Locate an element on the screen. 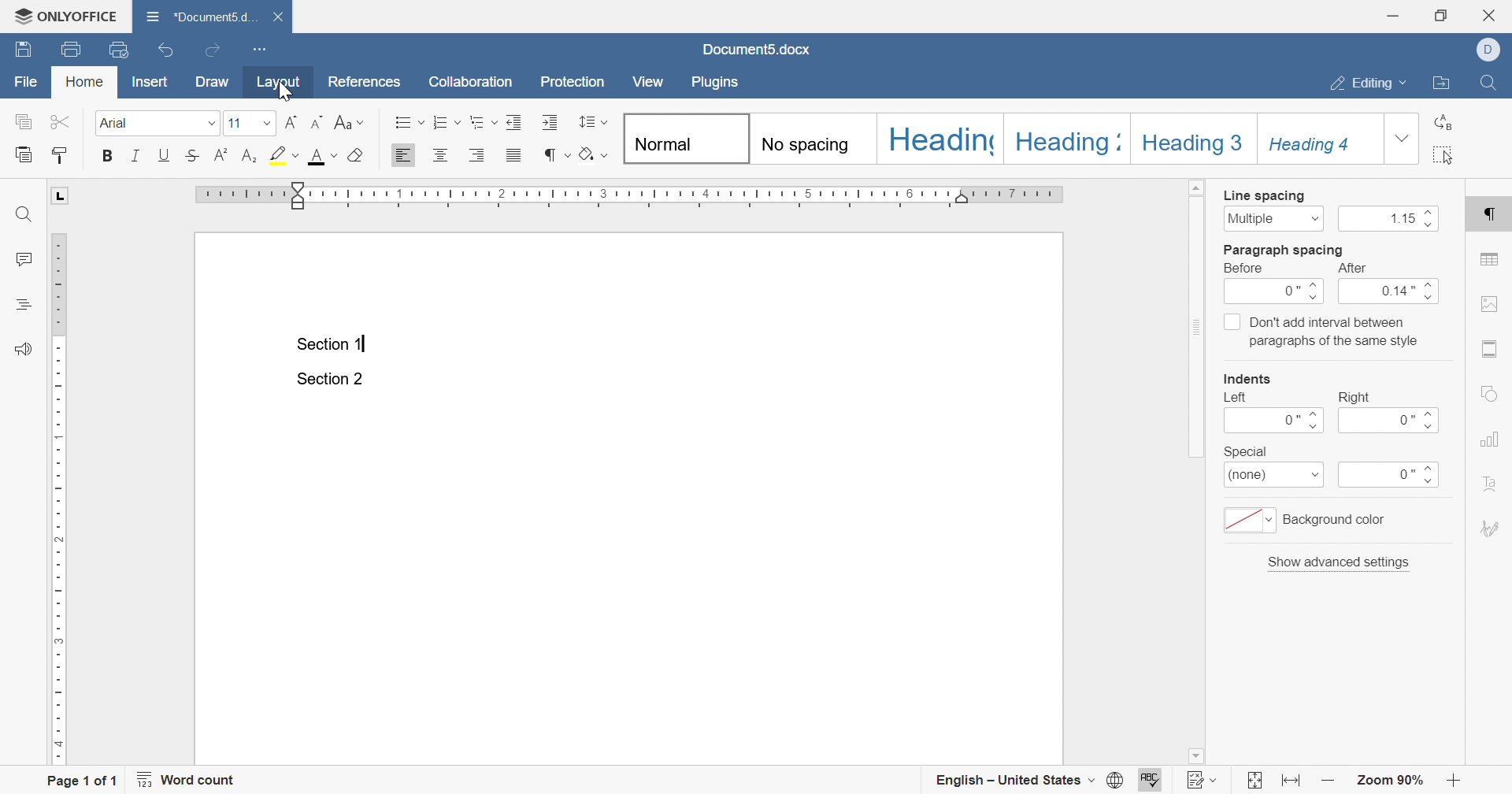  Don't add interval between paragraphs of the same style is located at coordinates (1321, 331).